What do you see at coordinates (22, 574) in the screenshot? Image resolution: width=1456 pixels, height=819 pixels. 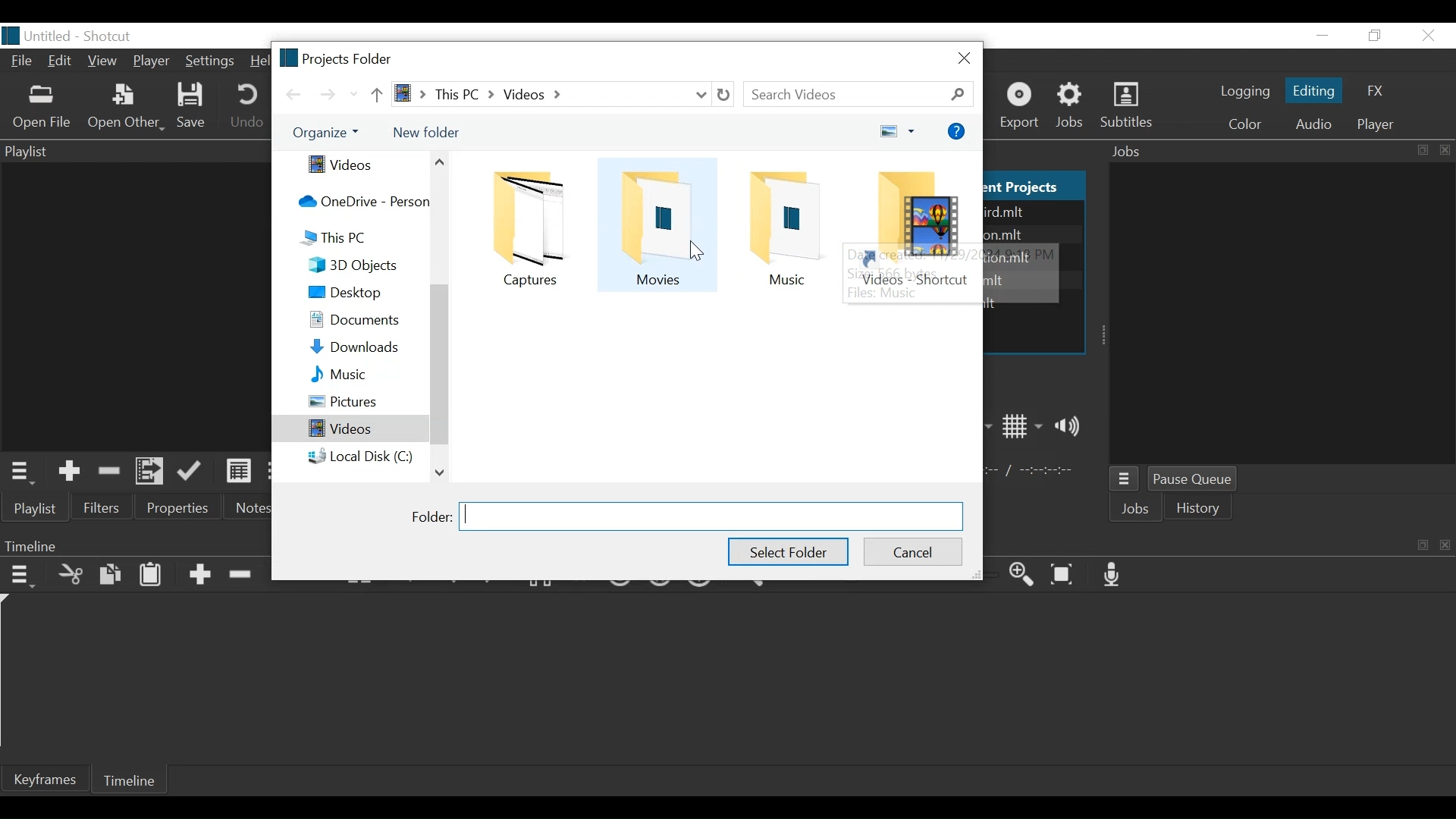 I see `Timeline Menu` at bounding box center [22, 574].